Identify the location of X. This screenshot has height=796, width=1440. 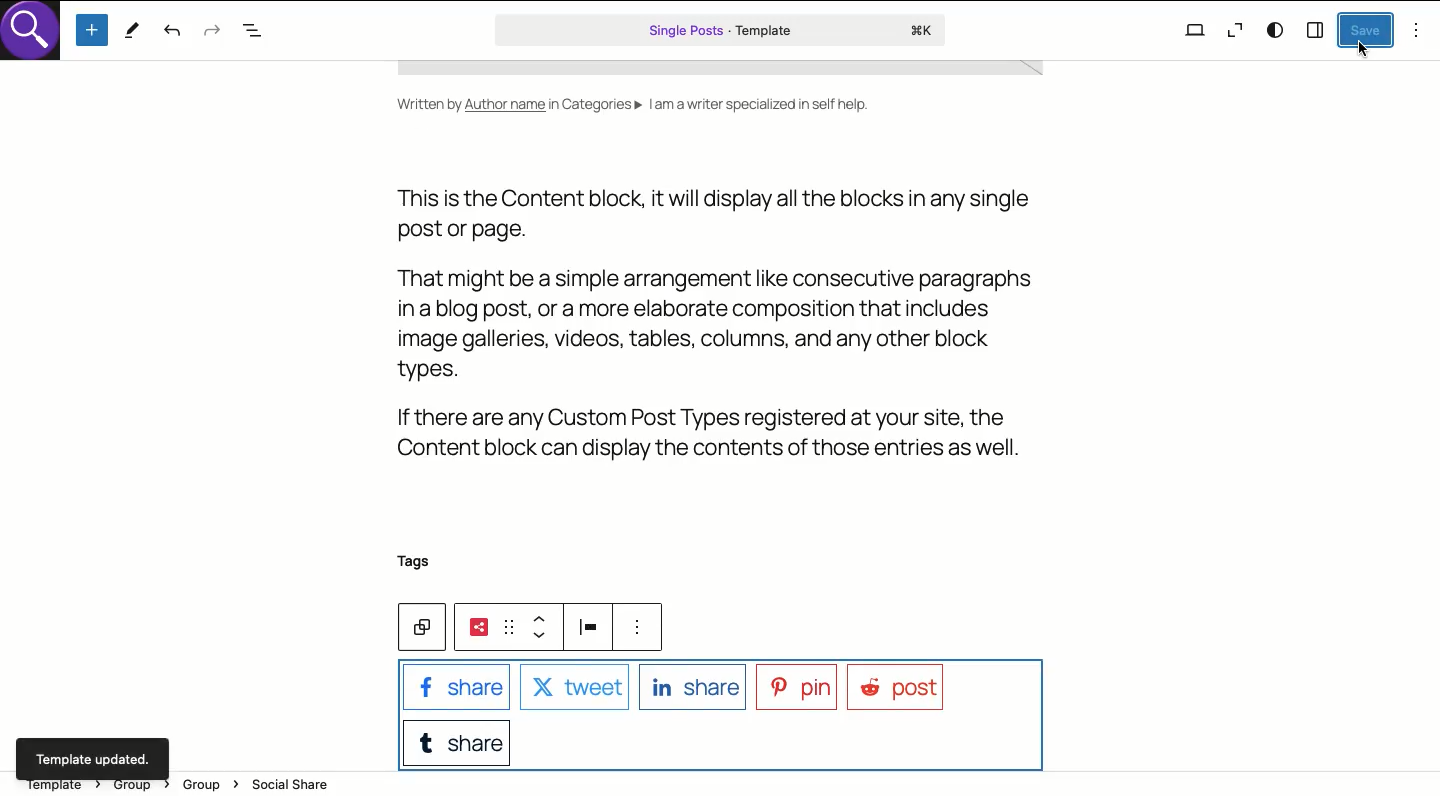
(573, 689).